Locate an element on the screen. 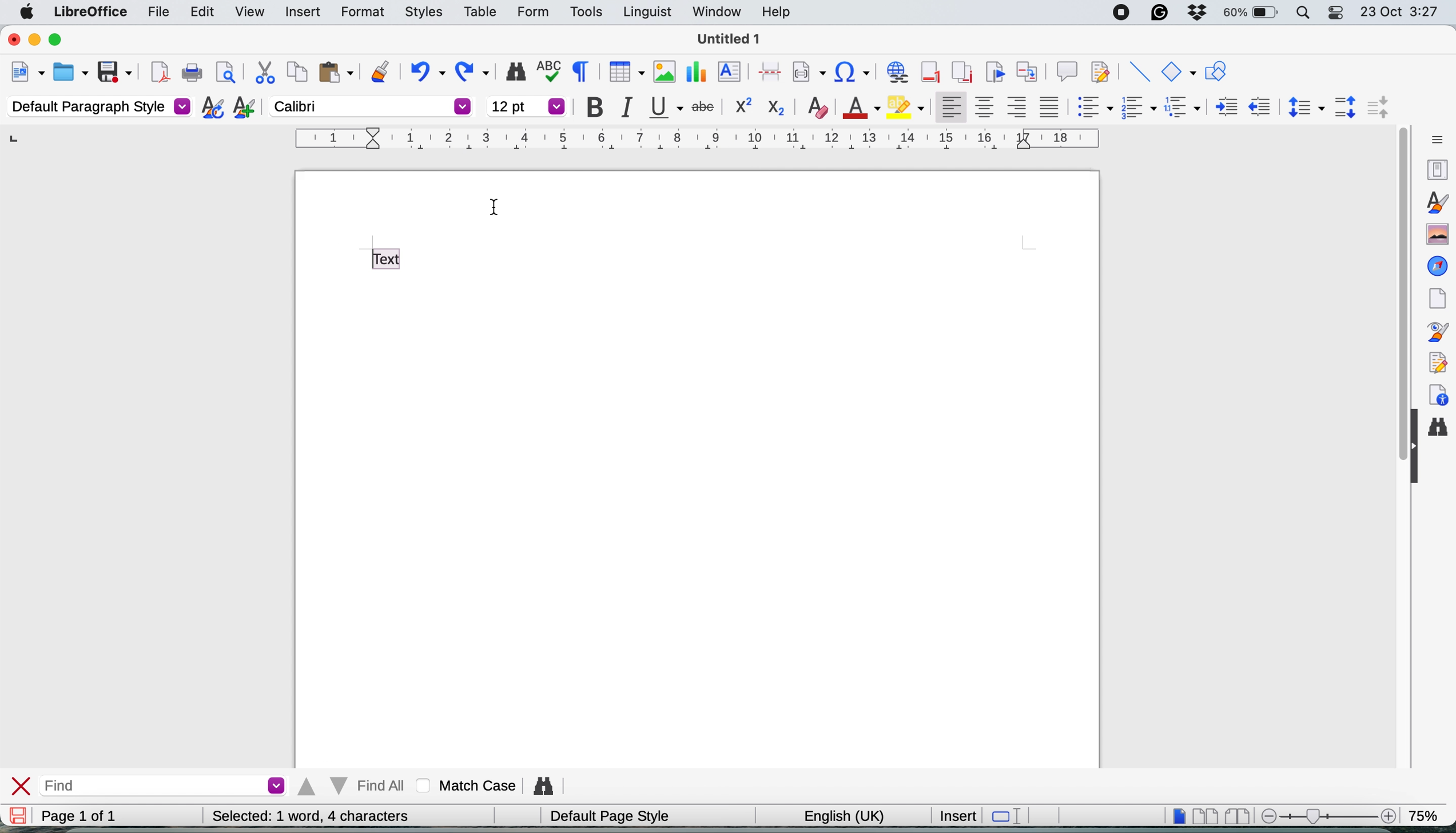 This screenshot has width=1456, height=833. font size is located at coordinates (526, 106).